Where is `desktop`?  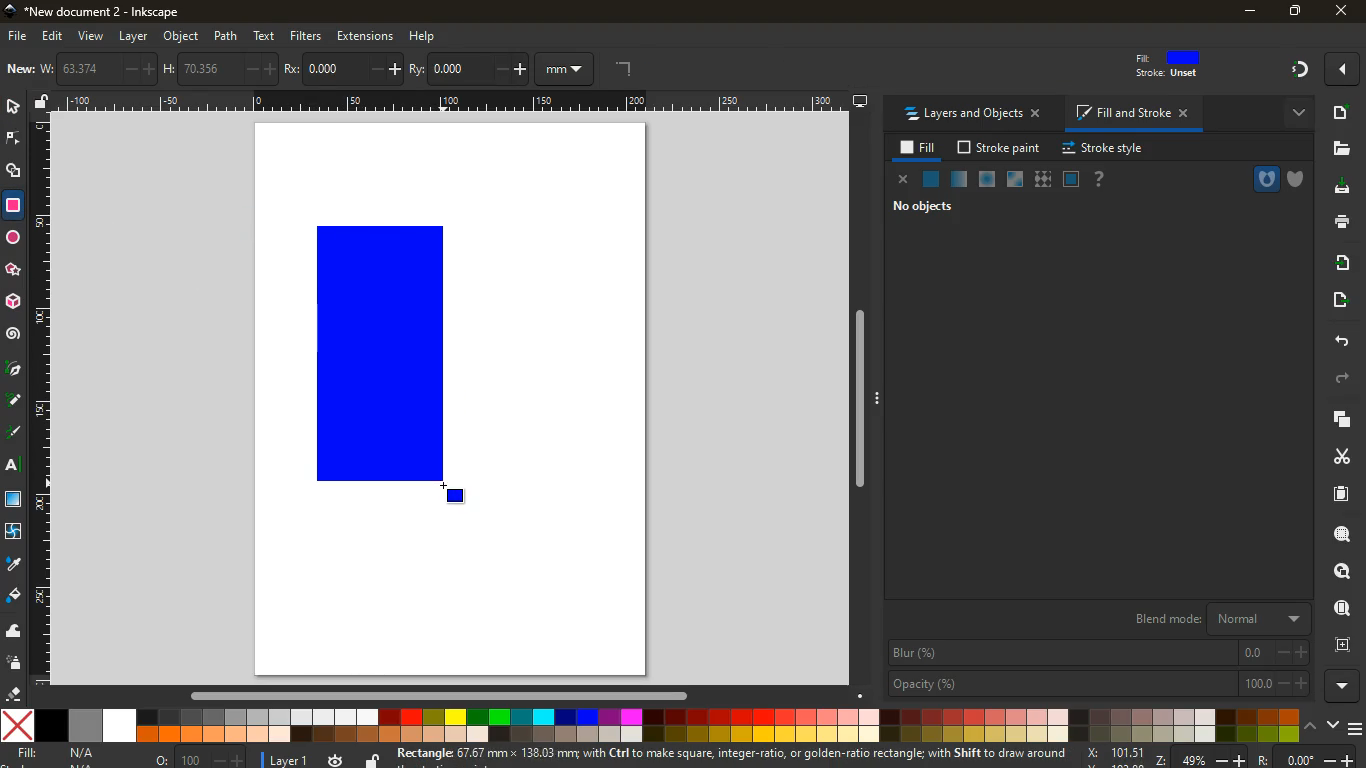
desktop is located at coordinates (1335, 189).